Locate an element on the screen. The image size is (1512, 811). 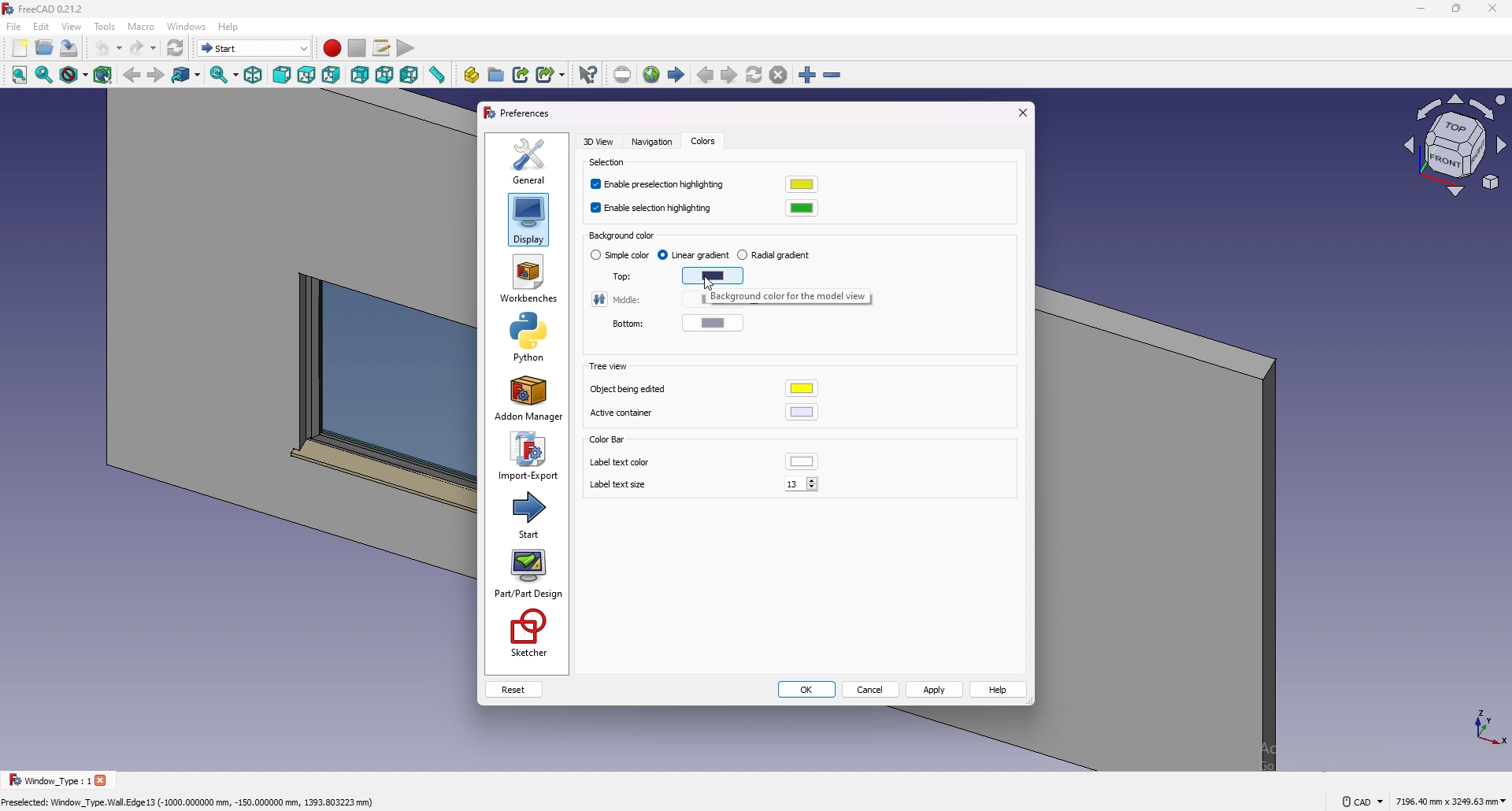
label text color is located at coordinates (802, 461).